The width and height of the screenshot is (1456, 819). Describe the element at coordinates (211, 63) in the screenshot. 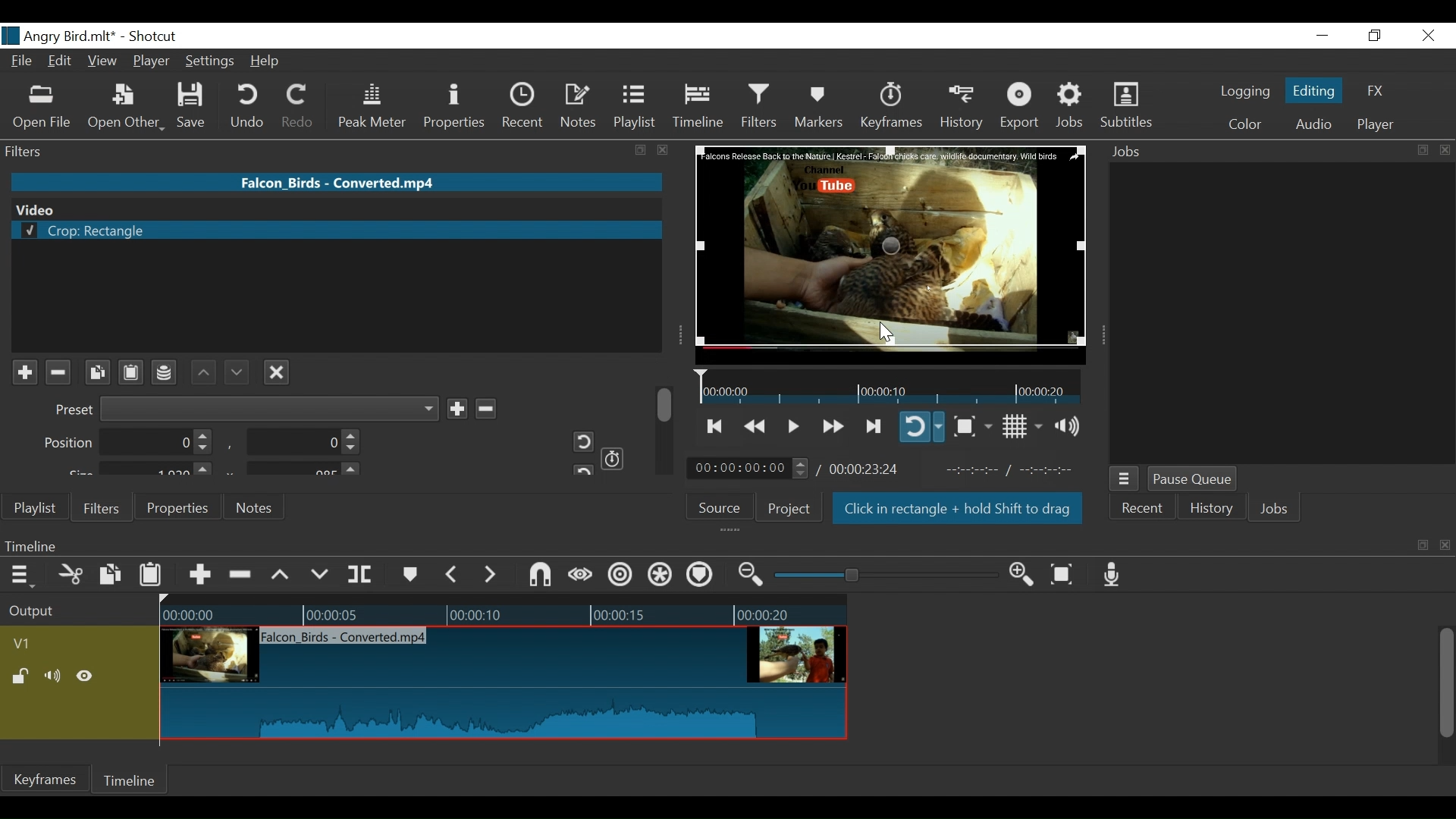

I see `Settings` at that location.